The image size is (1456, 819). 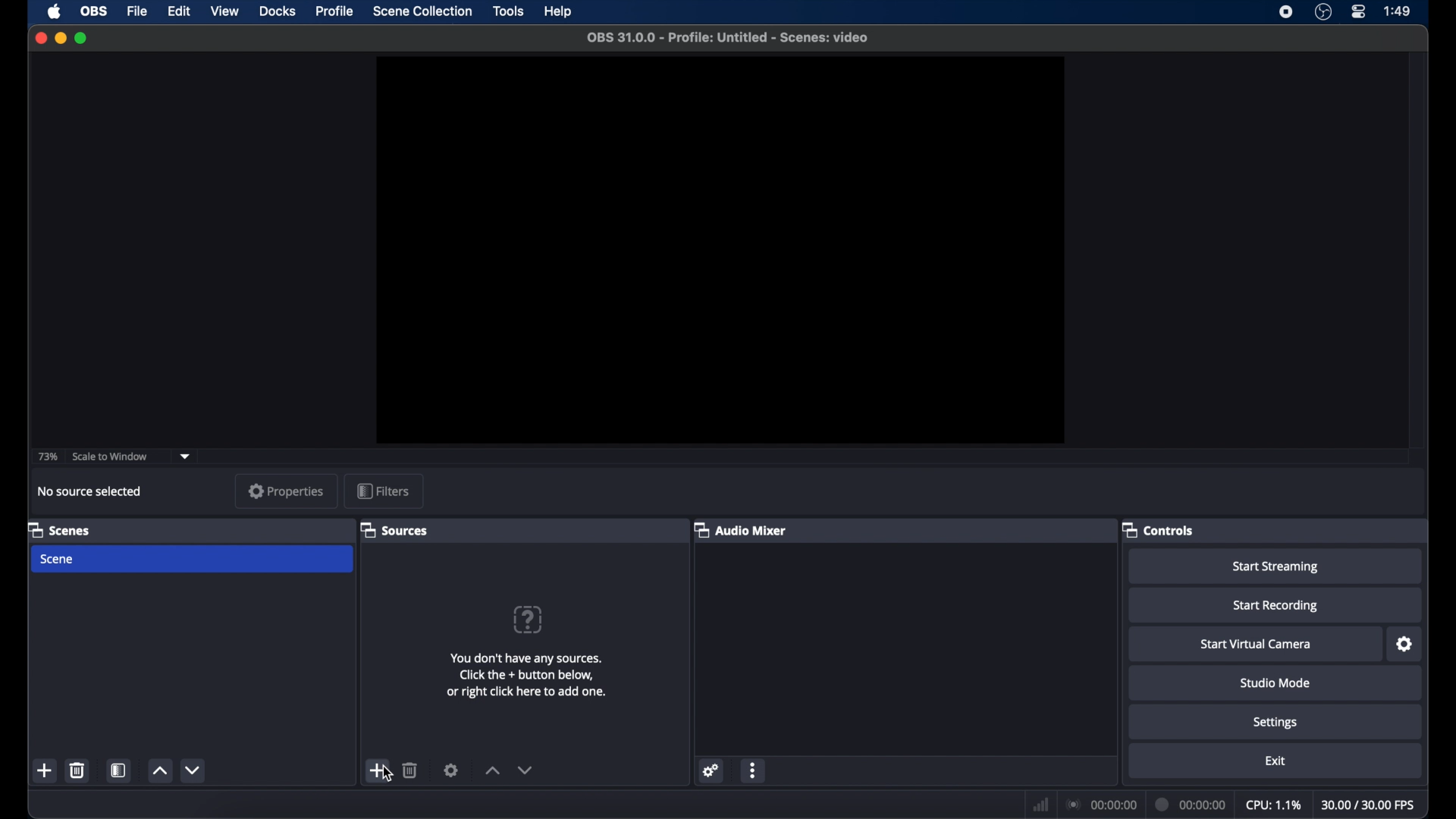 I want to click on more options, so click(x=755, y=770).